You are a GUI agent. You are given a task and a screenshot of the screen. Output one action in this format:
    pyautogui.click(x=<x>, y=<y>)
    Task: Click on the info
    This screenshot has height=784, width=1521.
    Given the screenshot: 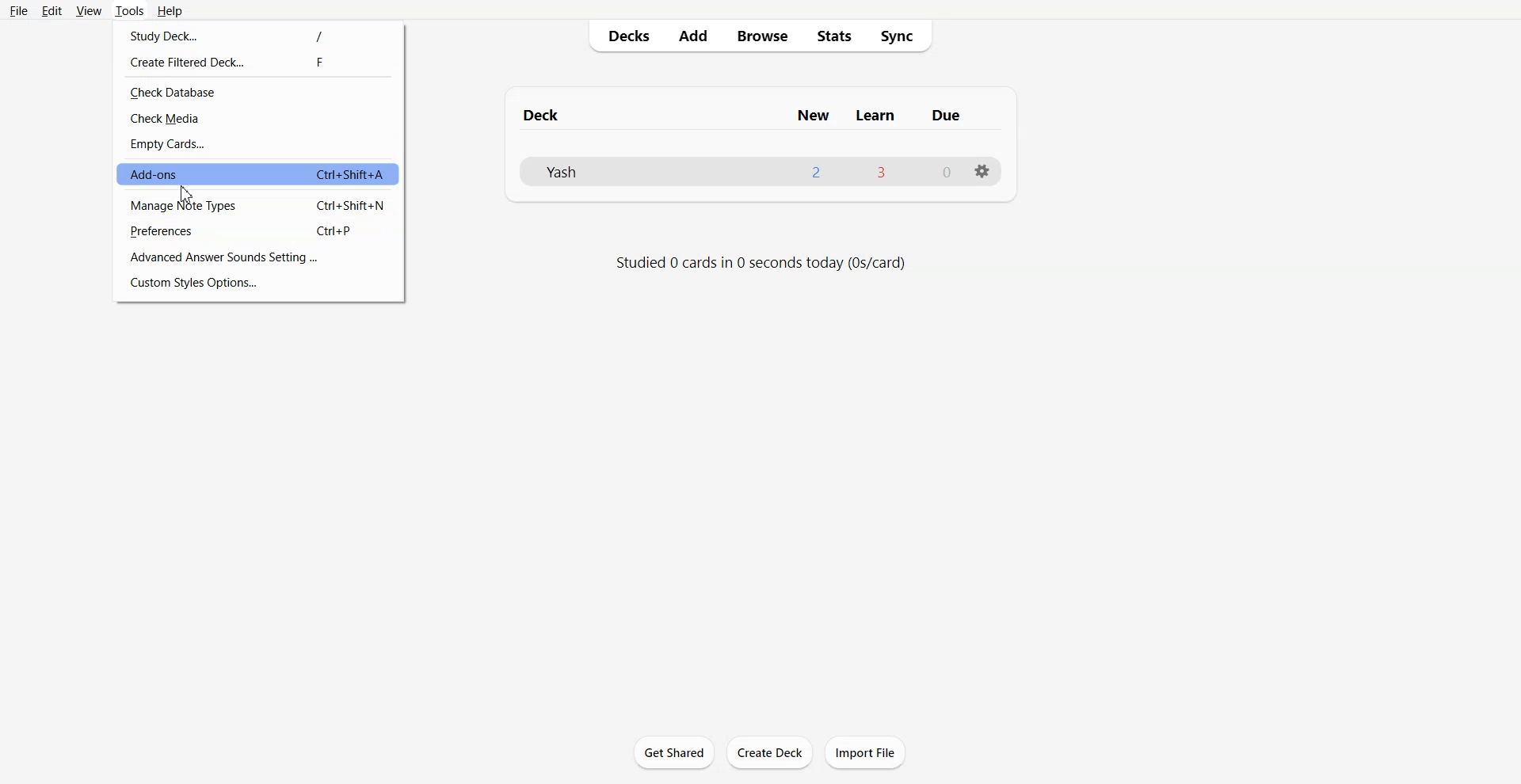 What is the action you would take?
    pyautogui.click(x=763, y=262)
    